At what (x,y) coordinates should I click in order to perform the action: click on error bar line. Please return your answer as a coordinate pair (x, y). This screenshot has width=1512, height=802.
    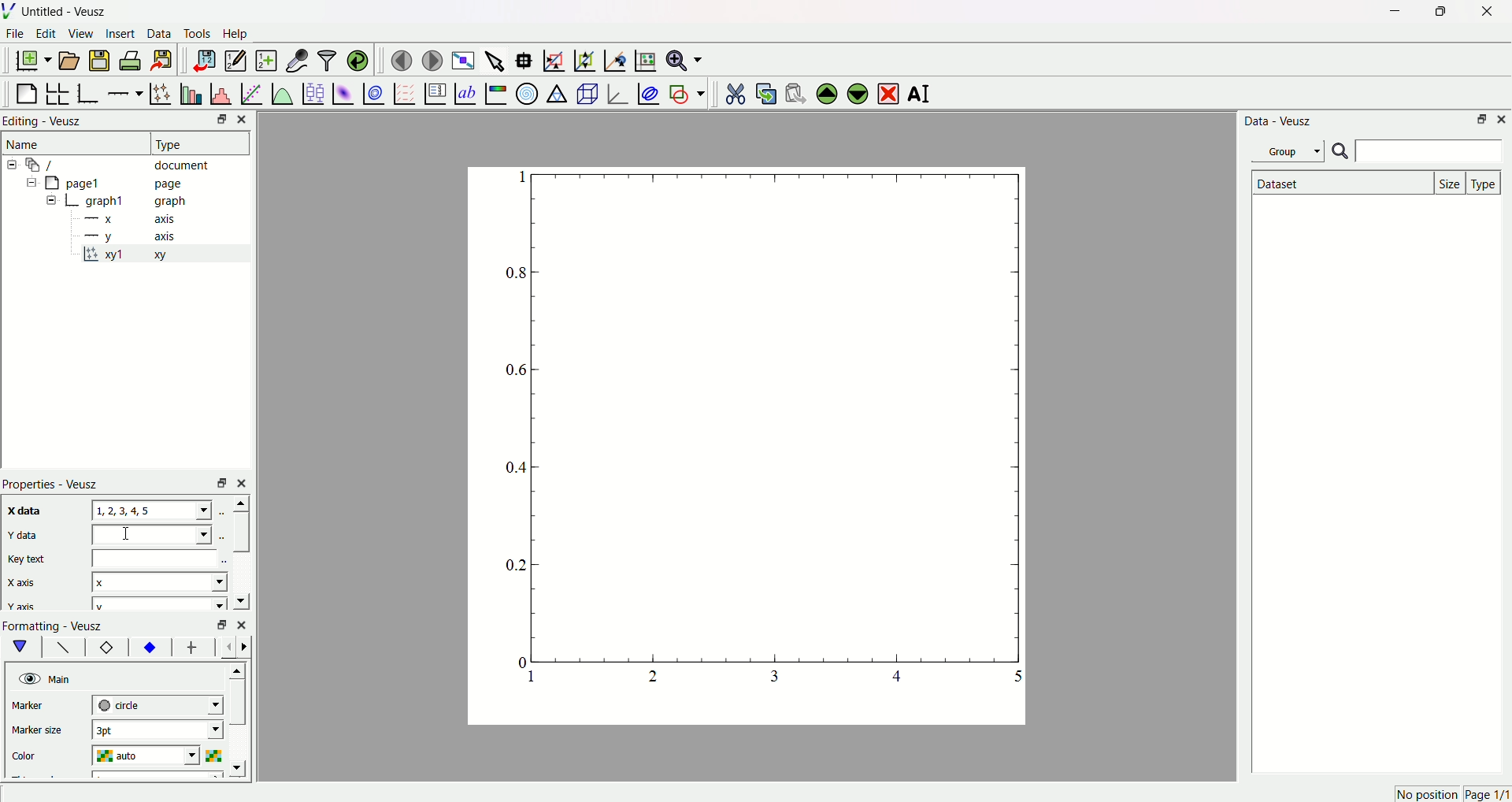
    Looking at the image, I should click on (192, 649).